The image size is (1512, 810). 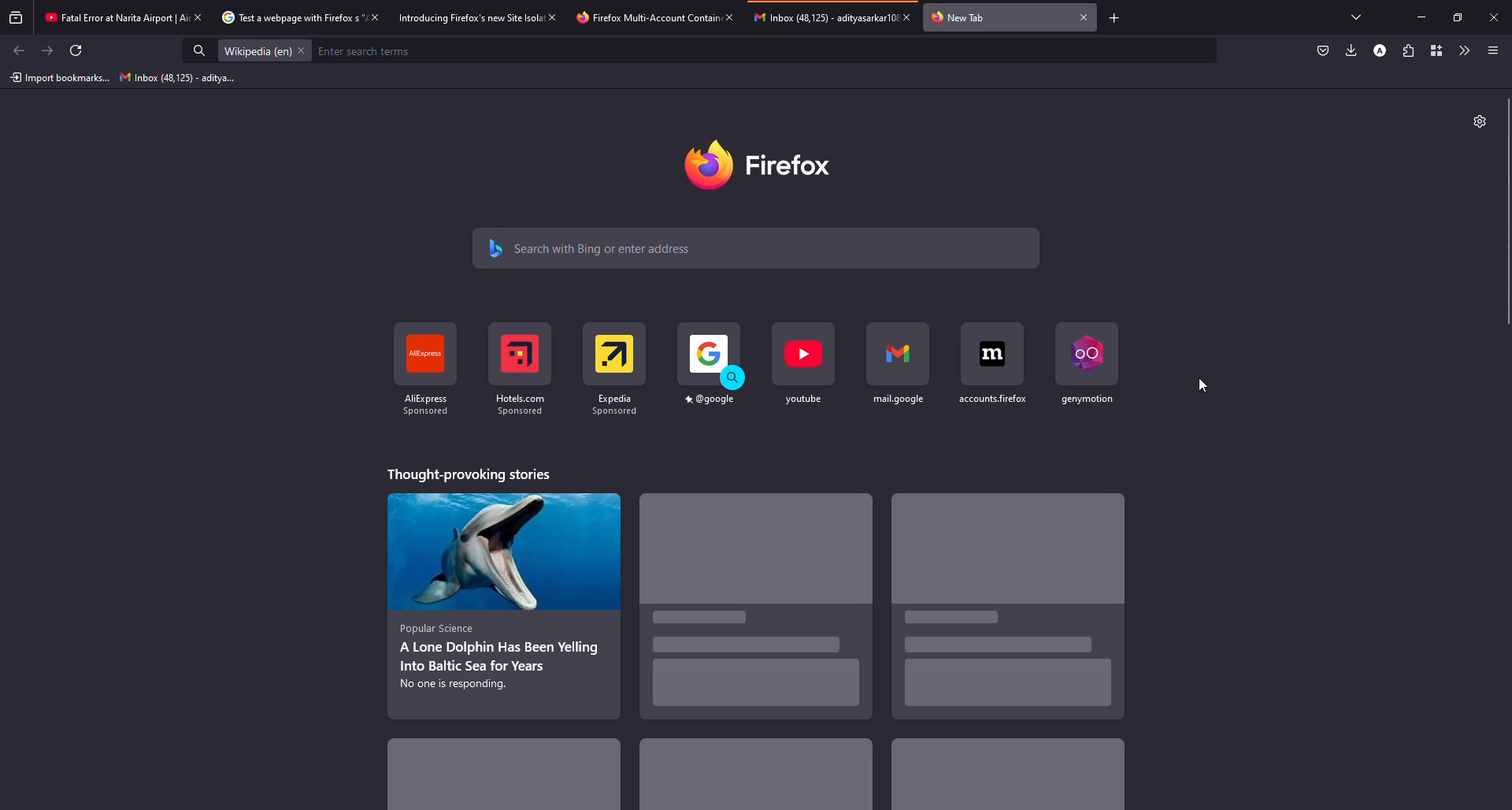 What do you see at coordinates (261, 51) in the screenshot?
I see `wikipedia (en)` at bounding box center [261, 51].